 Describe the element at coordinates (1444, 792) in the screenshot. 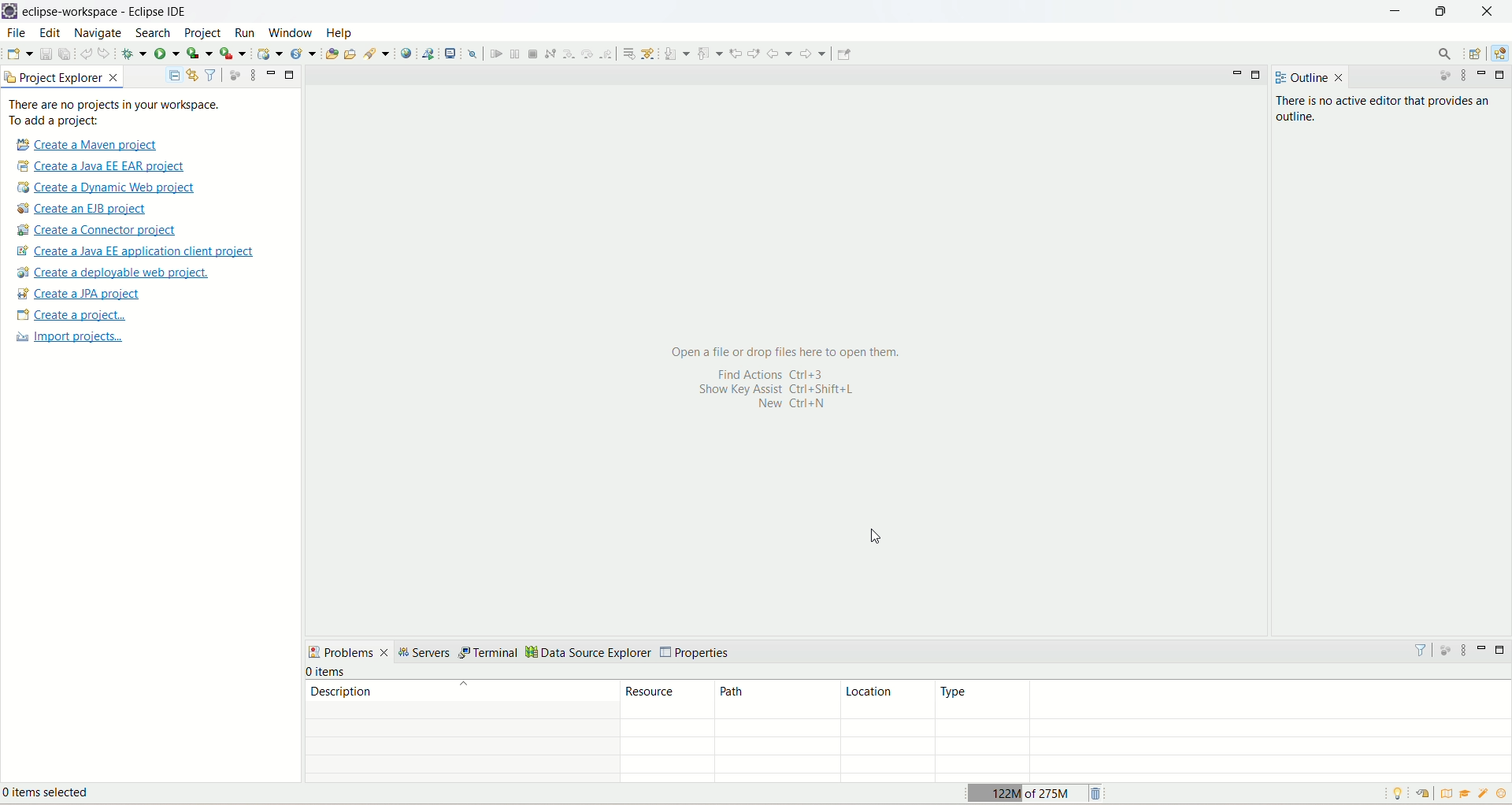

I see `overview` at that location.